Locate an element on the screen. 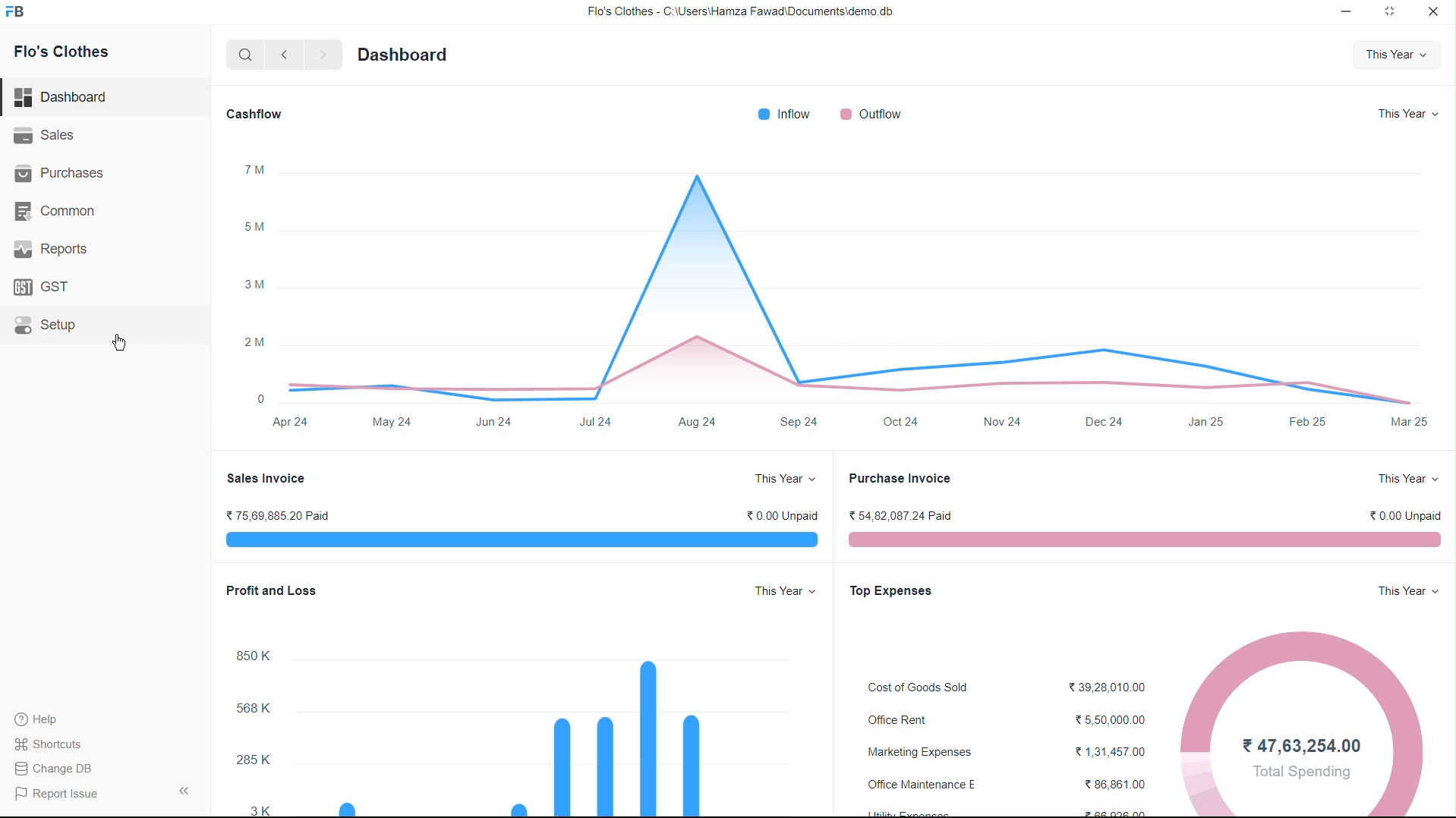 Image resolution: width=1456 pixels, height=818 pixels. Change DB is located at coordinates (58, 769).